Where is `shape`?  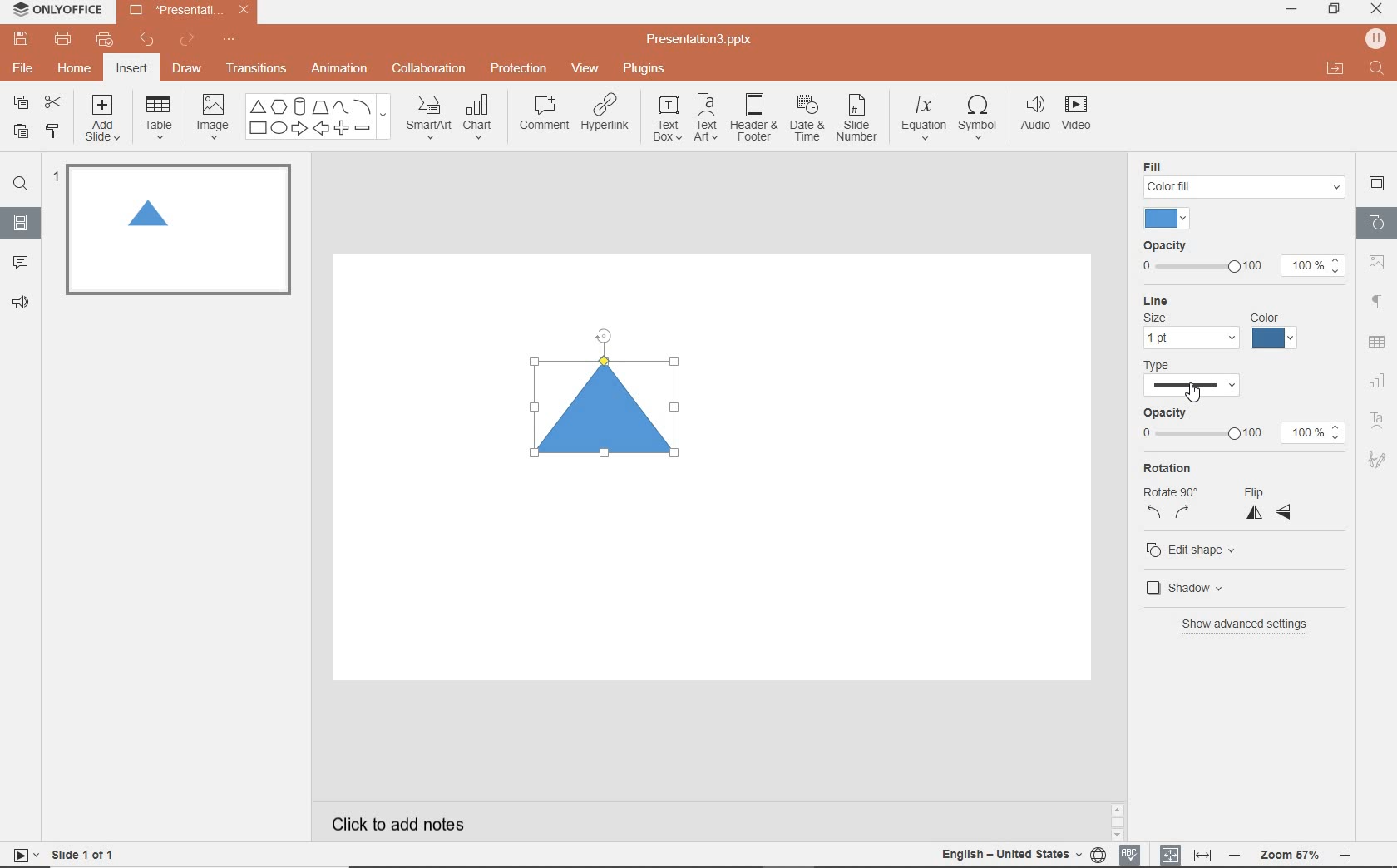 shape is located at coordinates (610, 408).